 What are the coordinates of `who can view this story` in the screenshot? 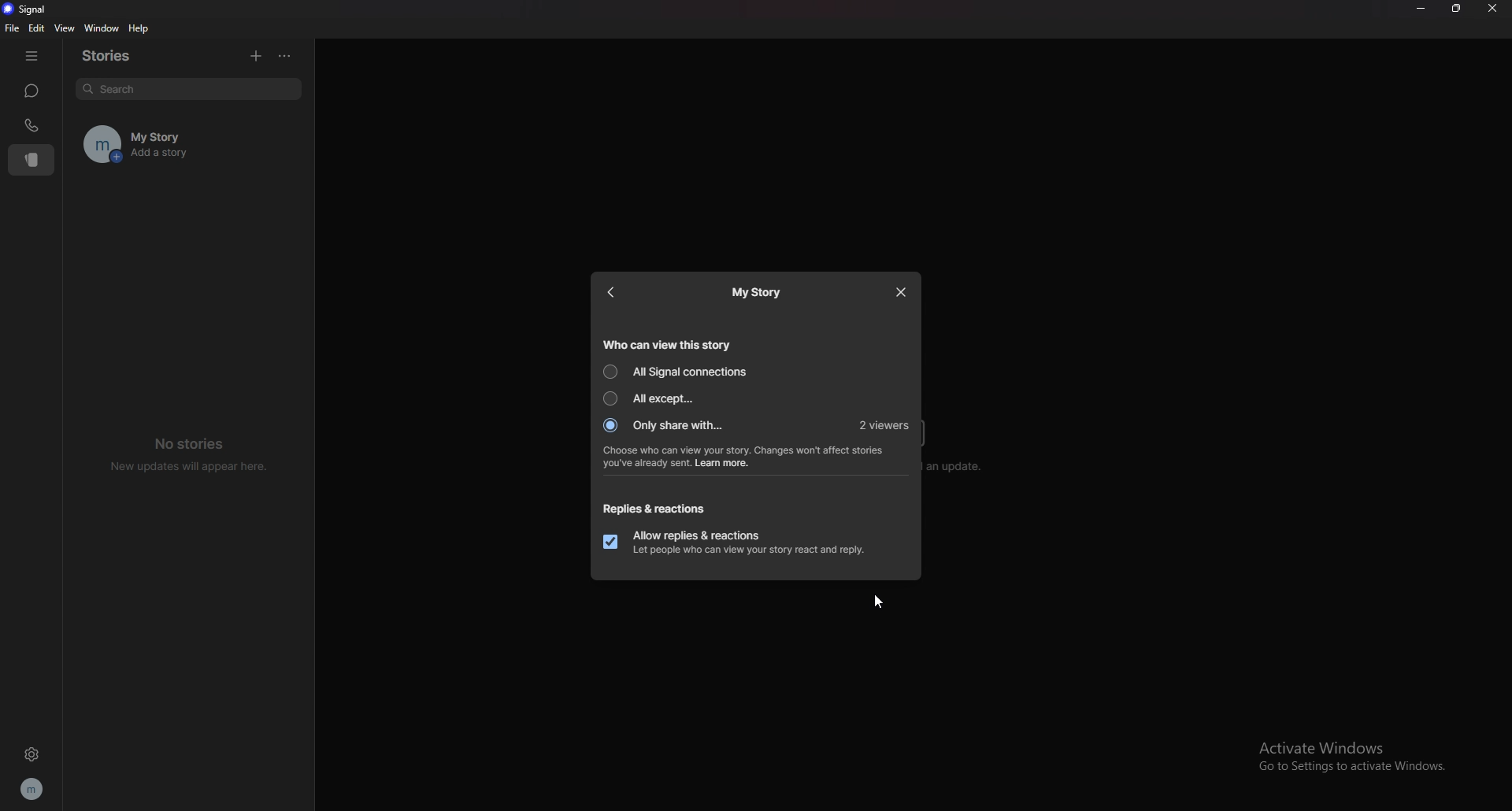 It's located at (670, 343).